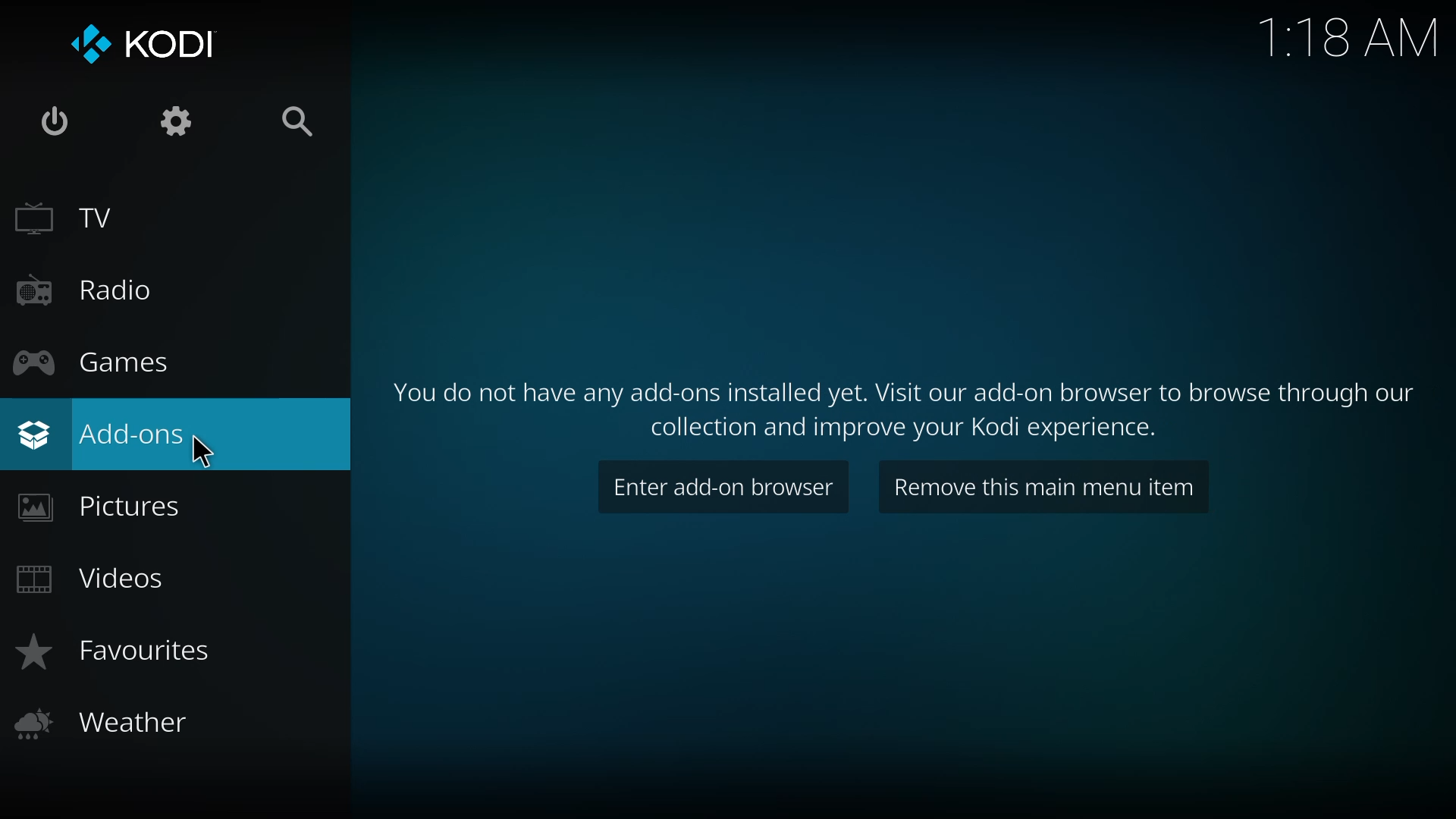 This screenshot has width=1456, height=819. I want to click on power, so click(55, 123).